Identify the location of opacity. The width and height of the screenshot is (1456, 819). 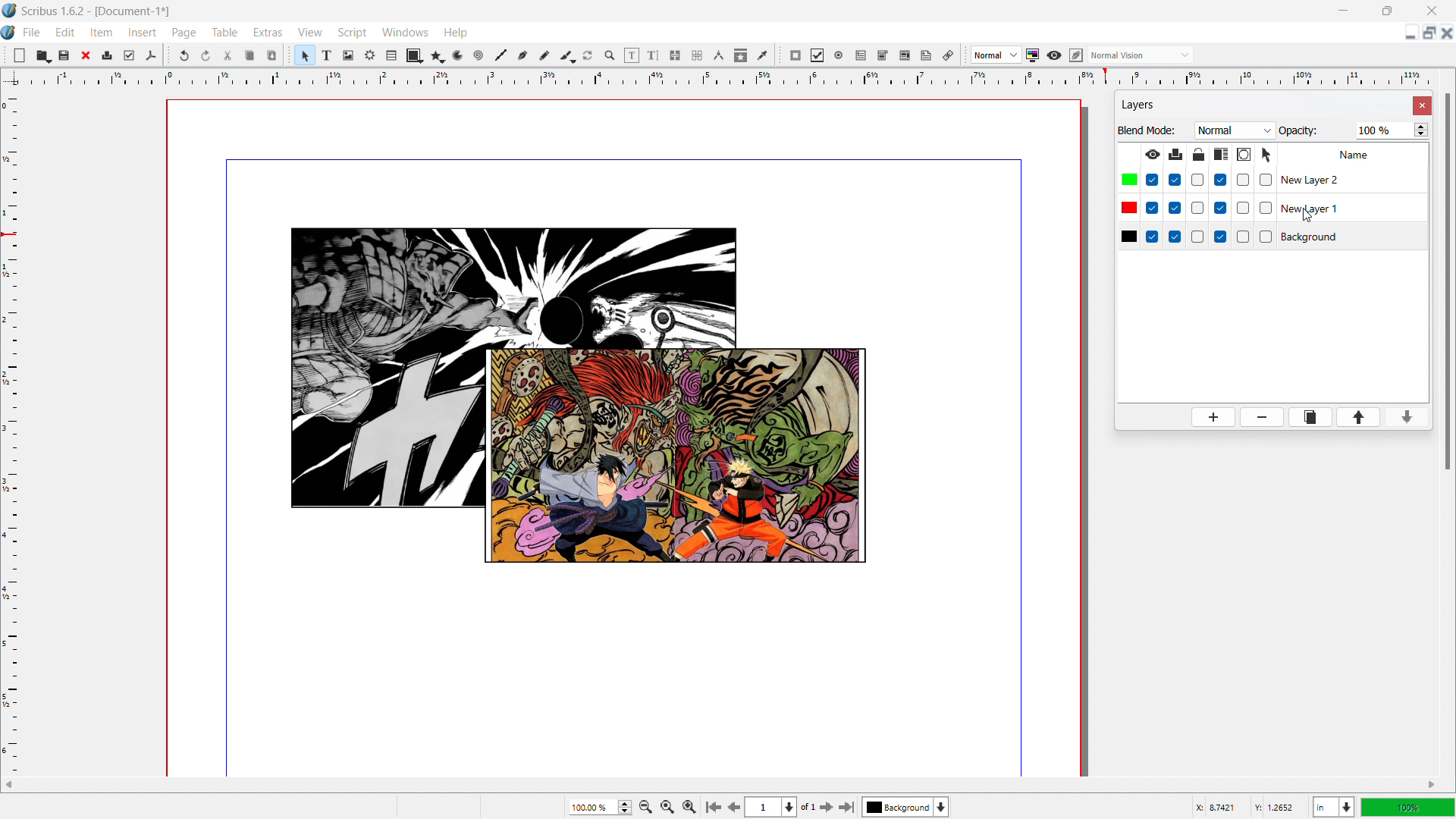
(1392, 130).